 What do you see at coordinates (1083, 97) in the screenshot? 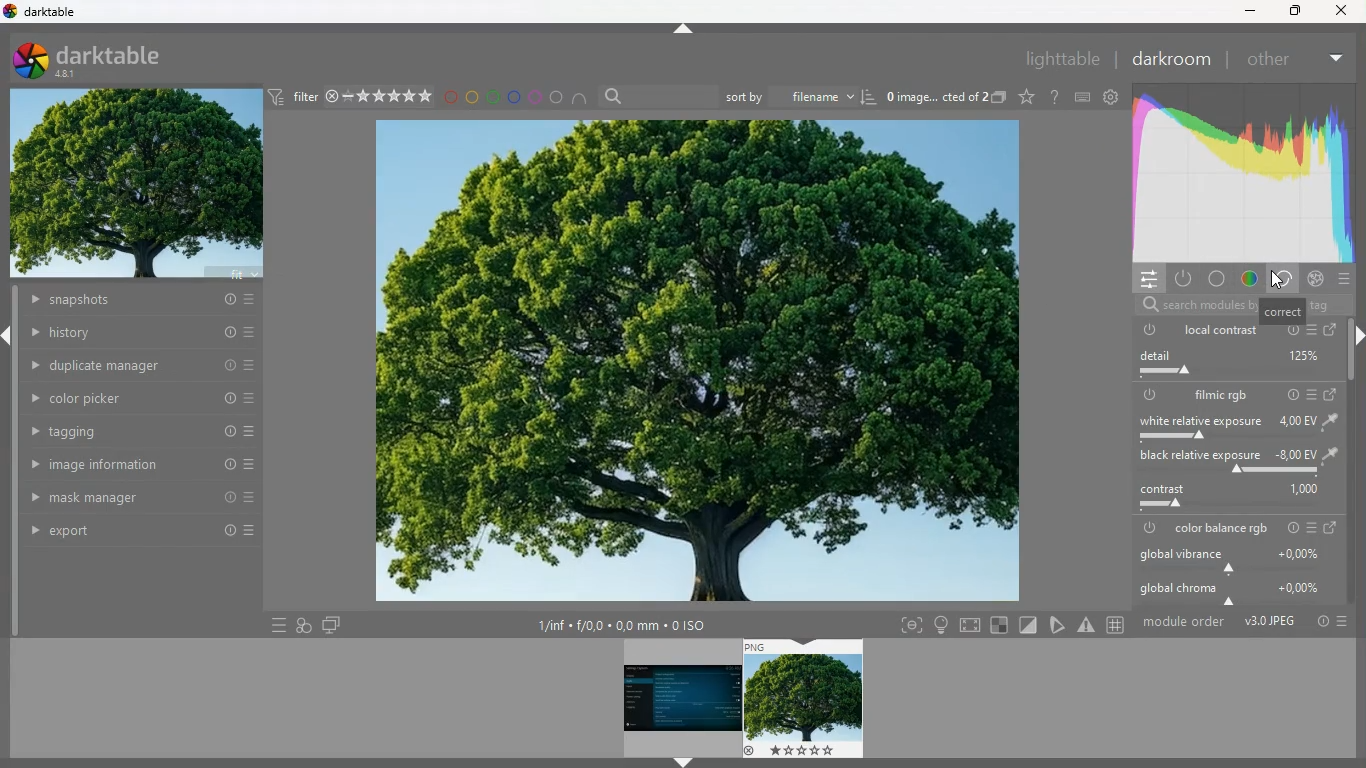
I see `keyboard` at bounding box center [1083, 97].